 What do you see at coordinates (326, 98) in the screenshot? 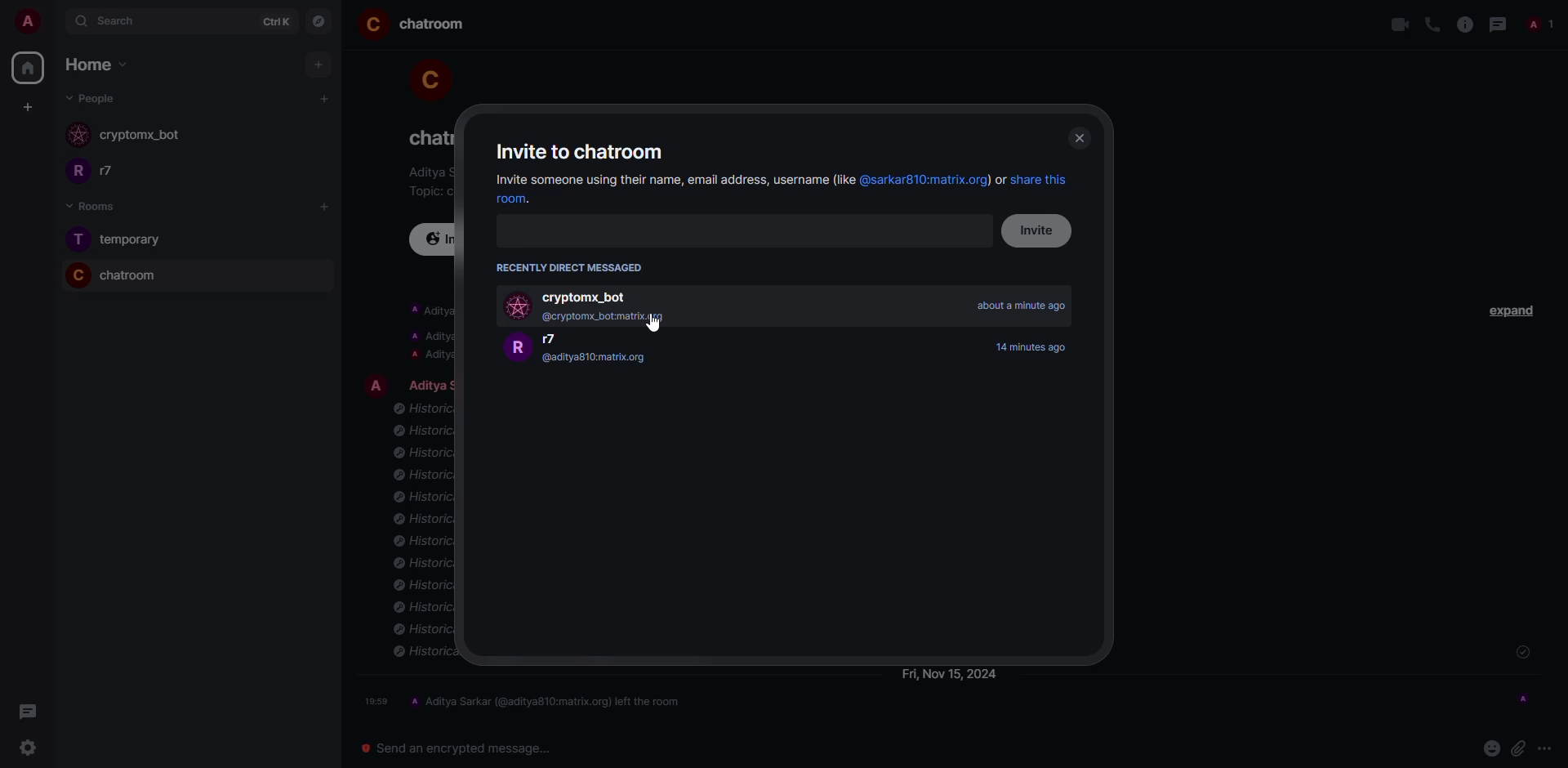
I see `add` at bounding box center [326, 98].